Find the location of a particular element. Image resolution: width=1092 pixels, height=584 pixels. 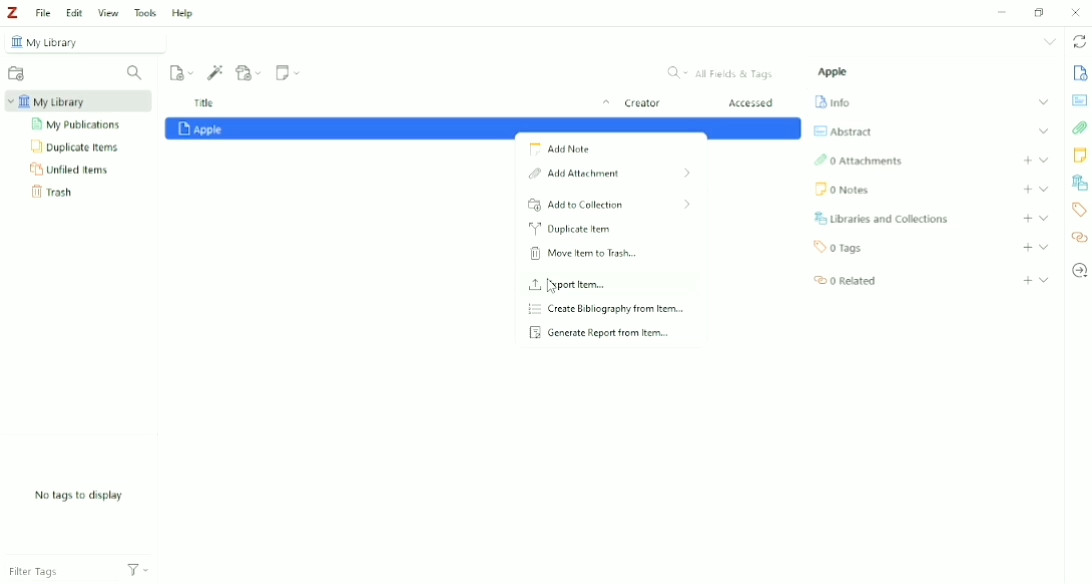

Trash is located at coordinates (55, 193).